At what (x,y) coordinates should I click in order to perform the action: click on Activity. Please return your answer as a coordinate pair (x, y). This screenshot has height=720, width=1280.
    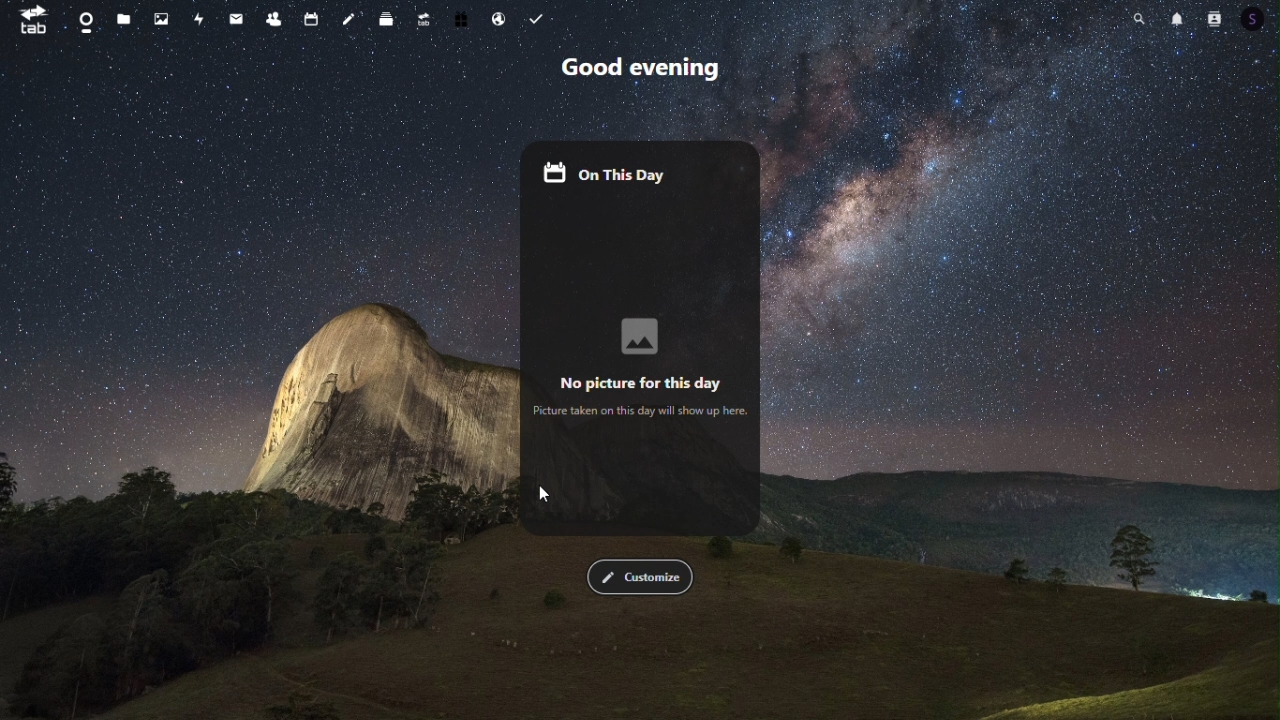
    Looking at the image, I should click on (201, 19).